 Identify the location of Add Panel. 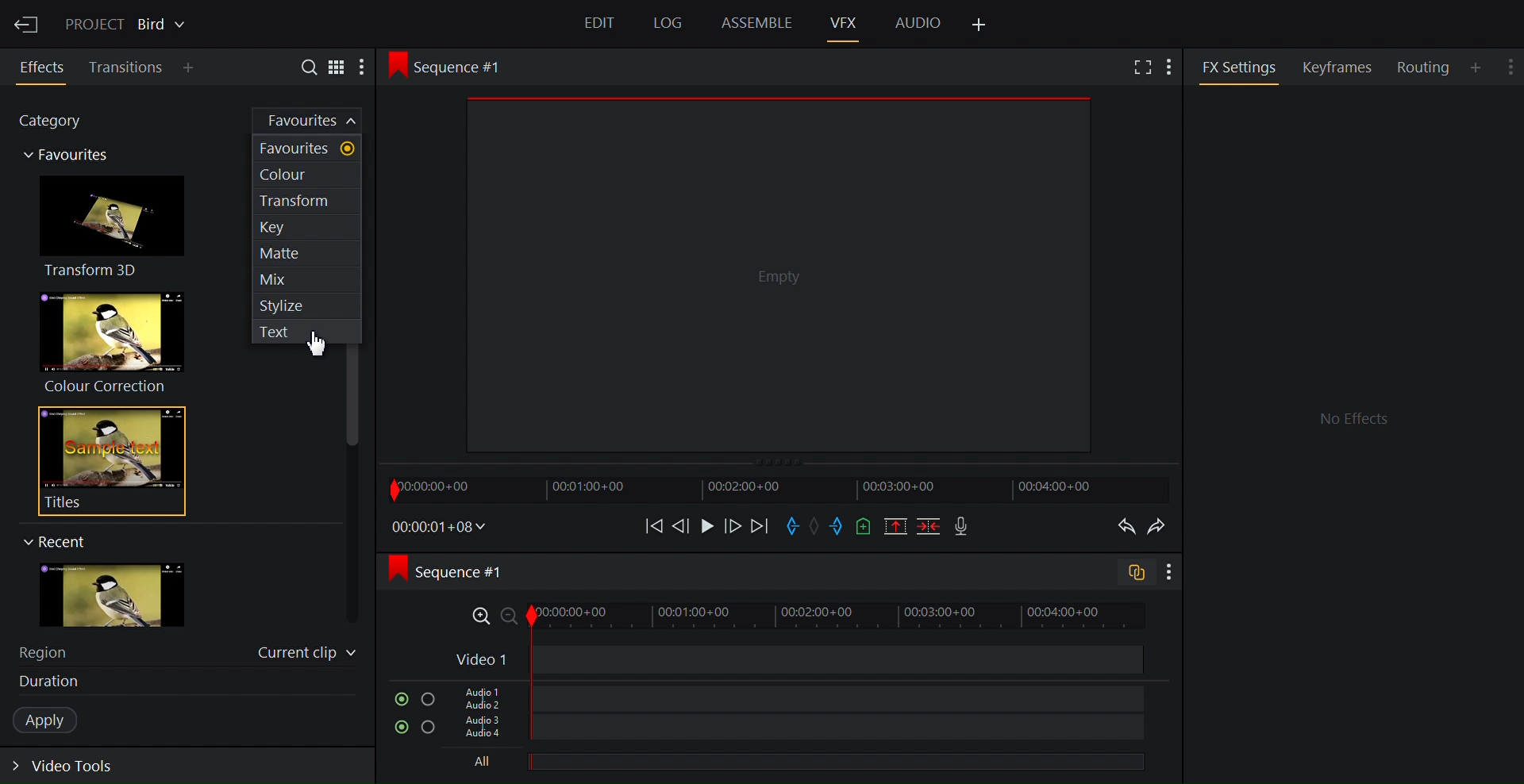
(980, 25).